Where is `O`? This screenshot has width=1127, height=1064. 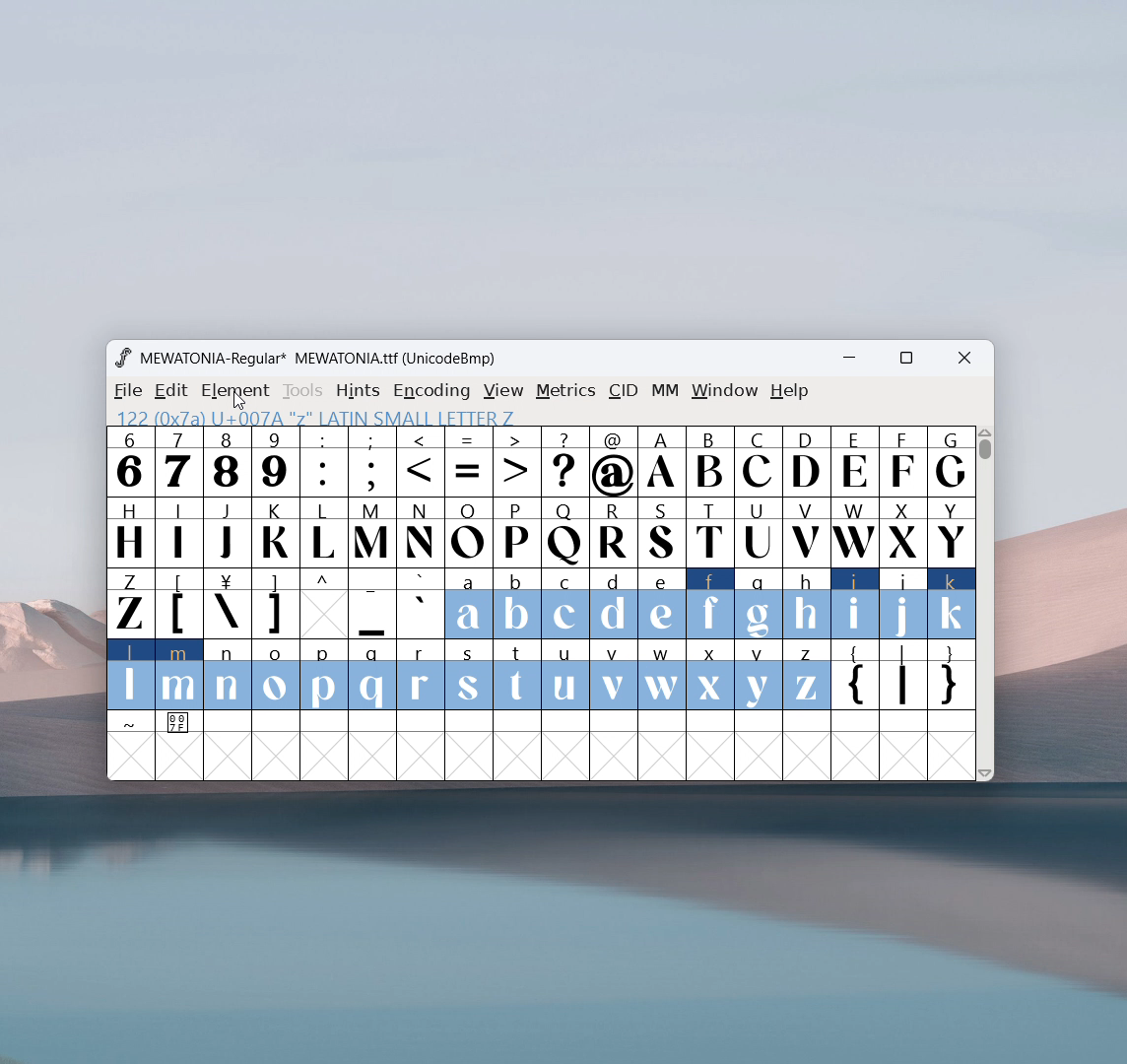 O is located at coordinates (469, 532).